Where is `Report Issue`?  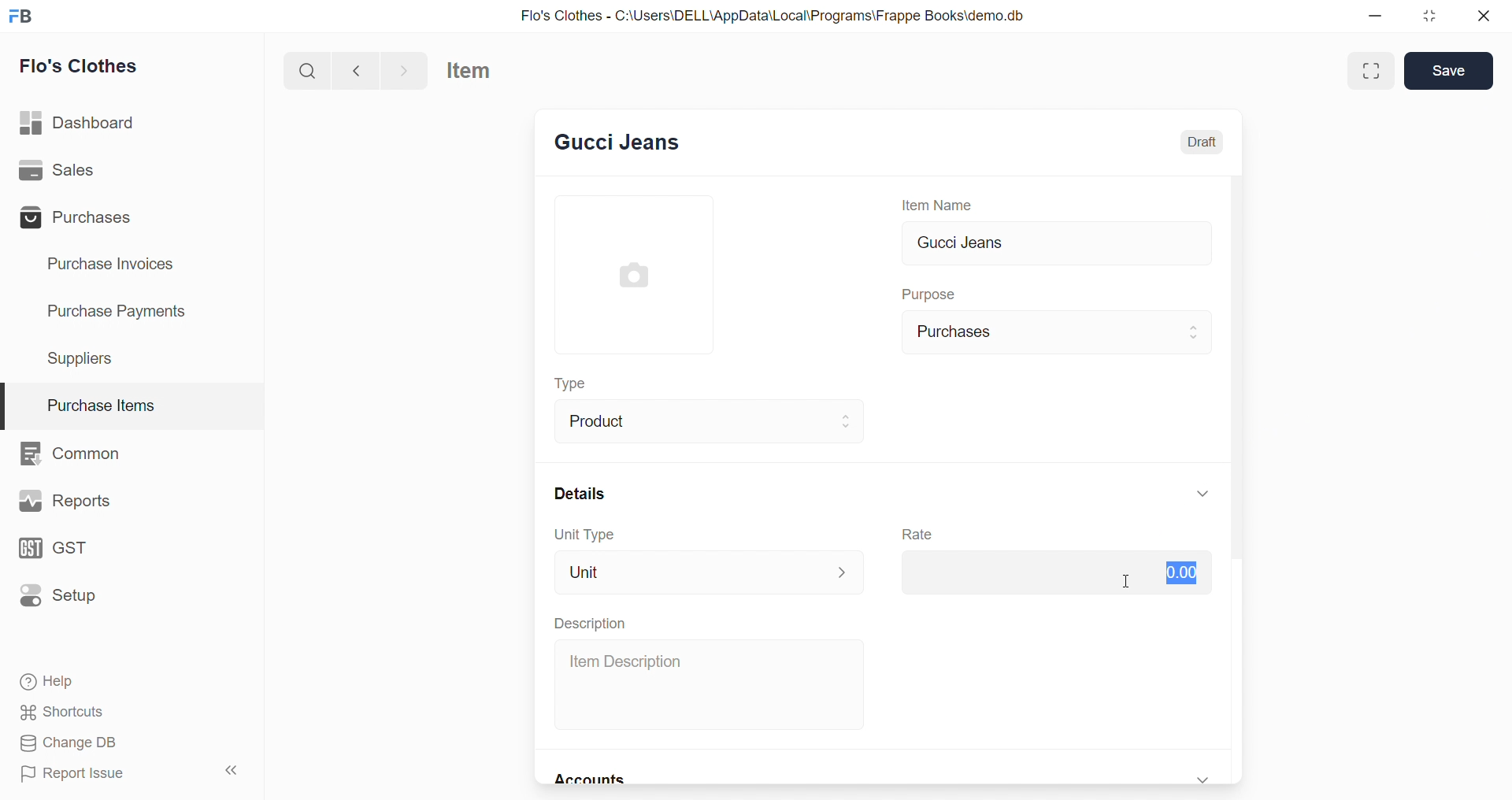 Report Issue is located at coordinates (98, 772).